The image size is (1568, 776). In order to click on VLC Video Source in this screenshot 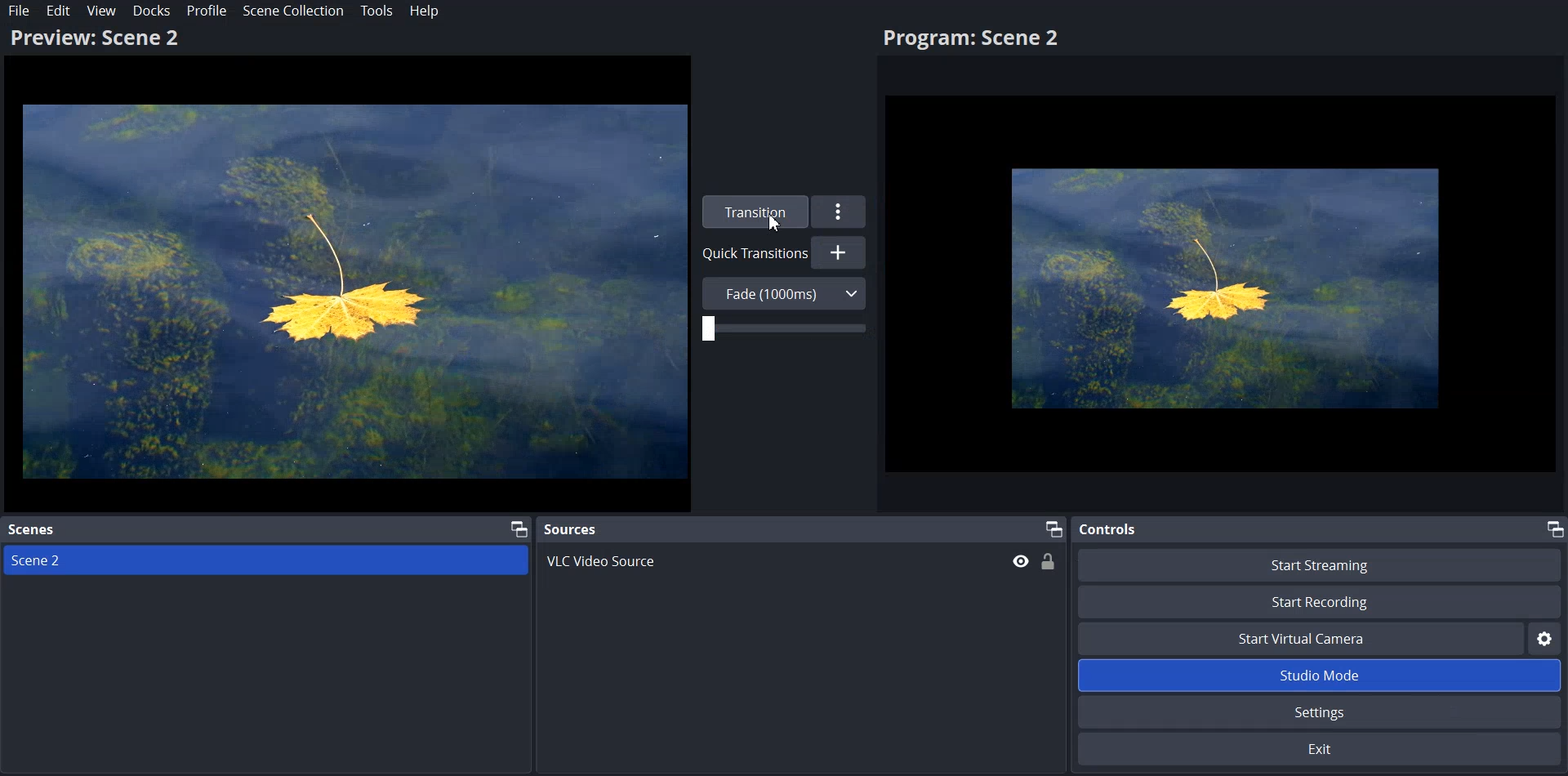, I will do `click(657, 564)`.